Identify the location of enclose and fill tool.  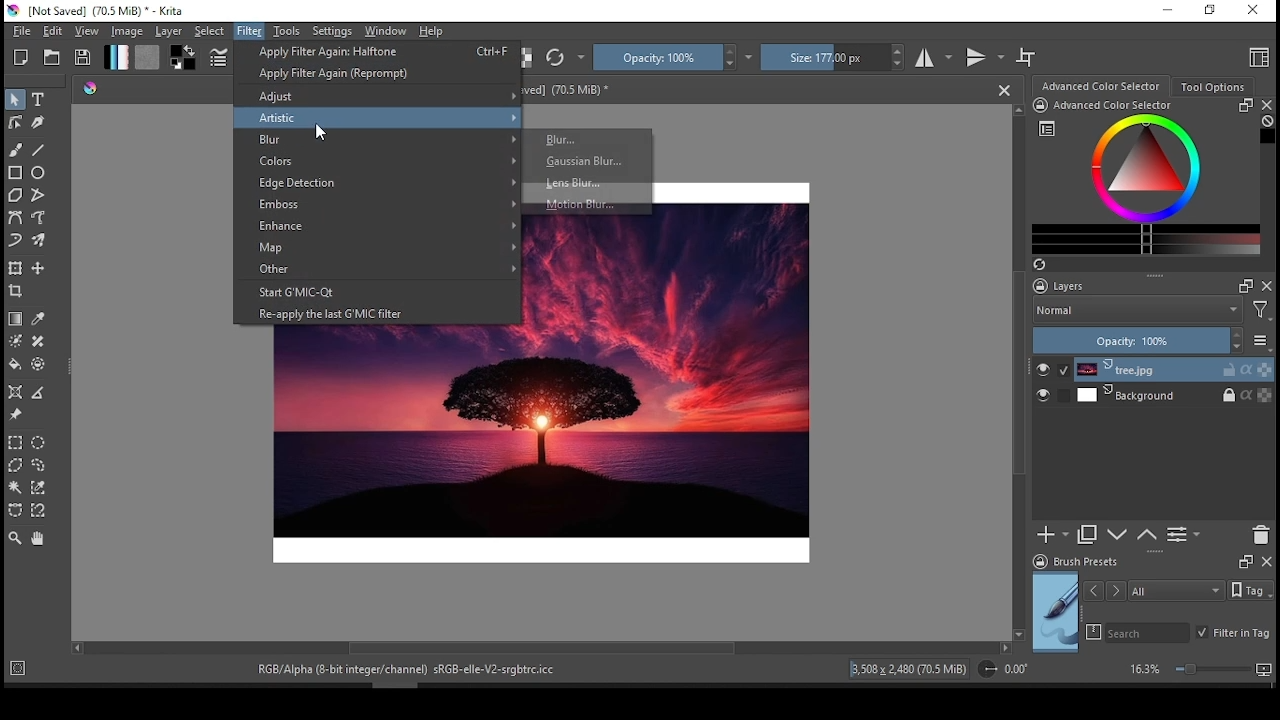
(40, 365).